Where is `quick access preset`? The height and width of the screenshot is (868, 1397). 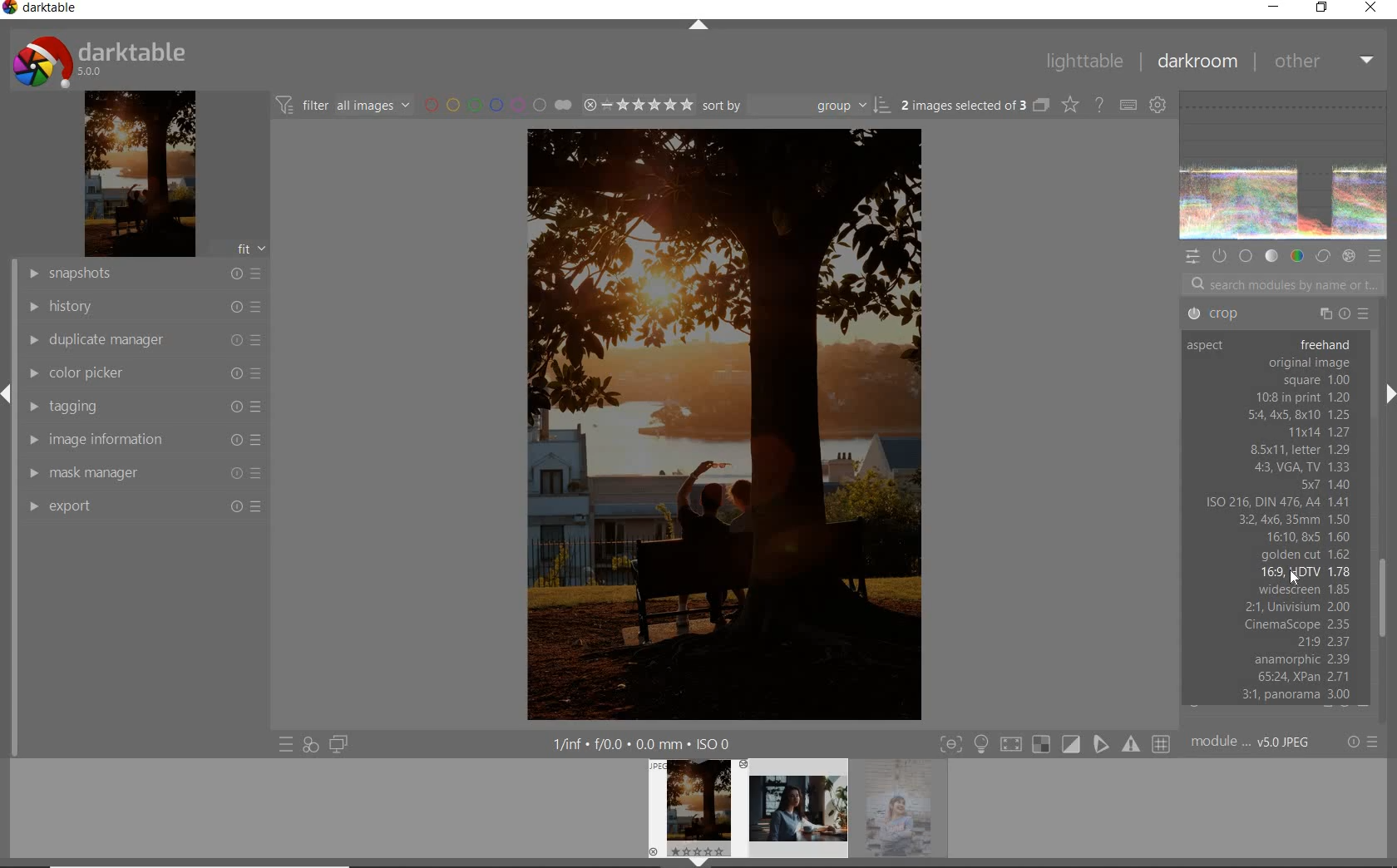 quick access preset is located at coordinates (286, 746).